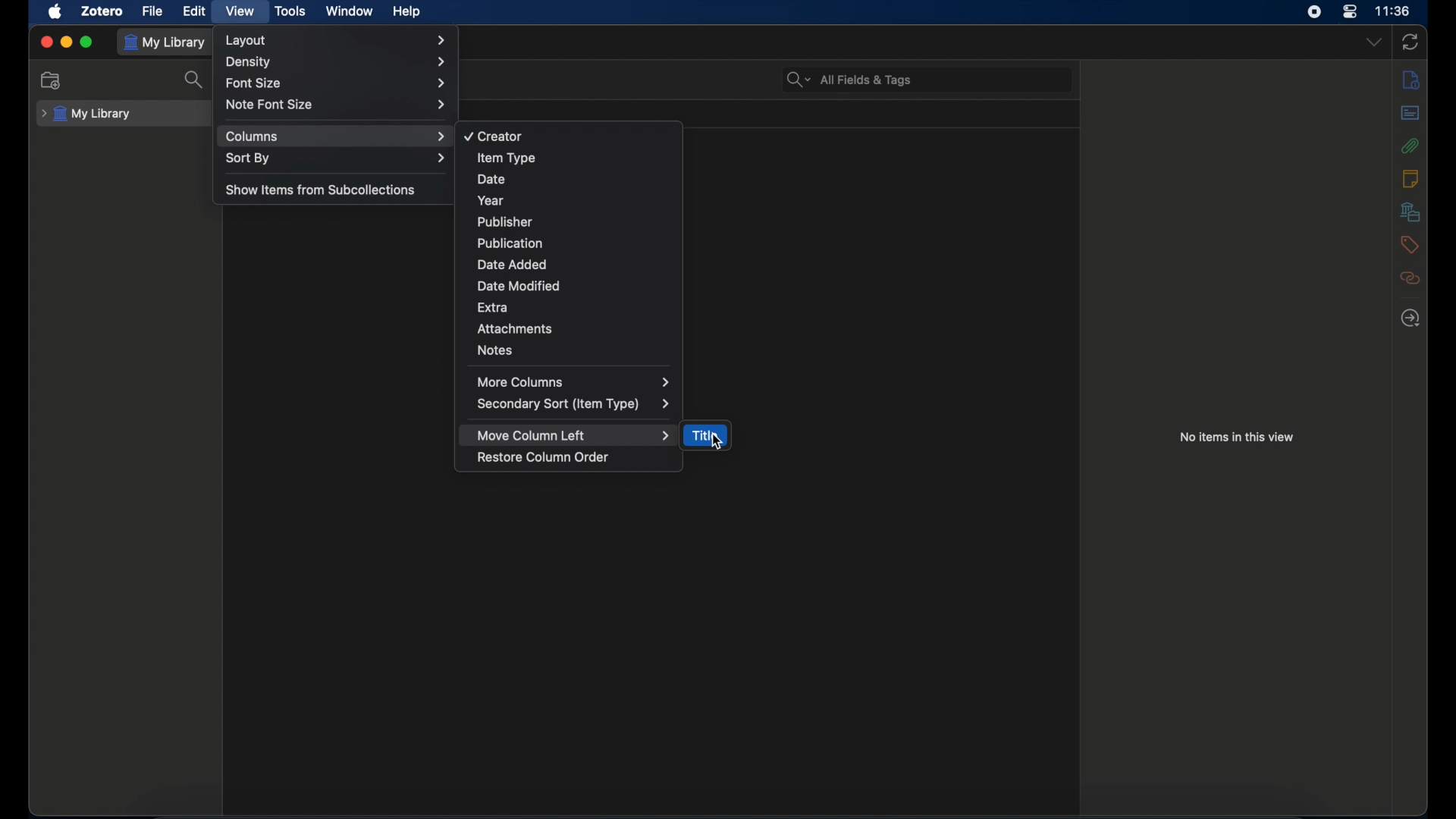 The width and height of the screenshot is (1456, 819). I want to click on file, so click(152, 12).